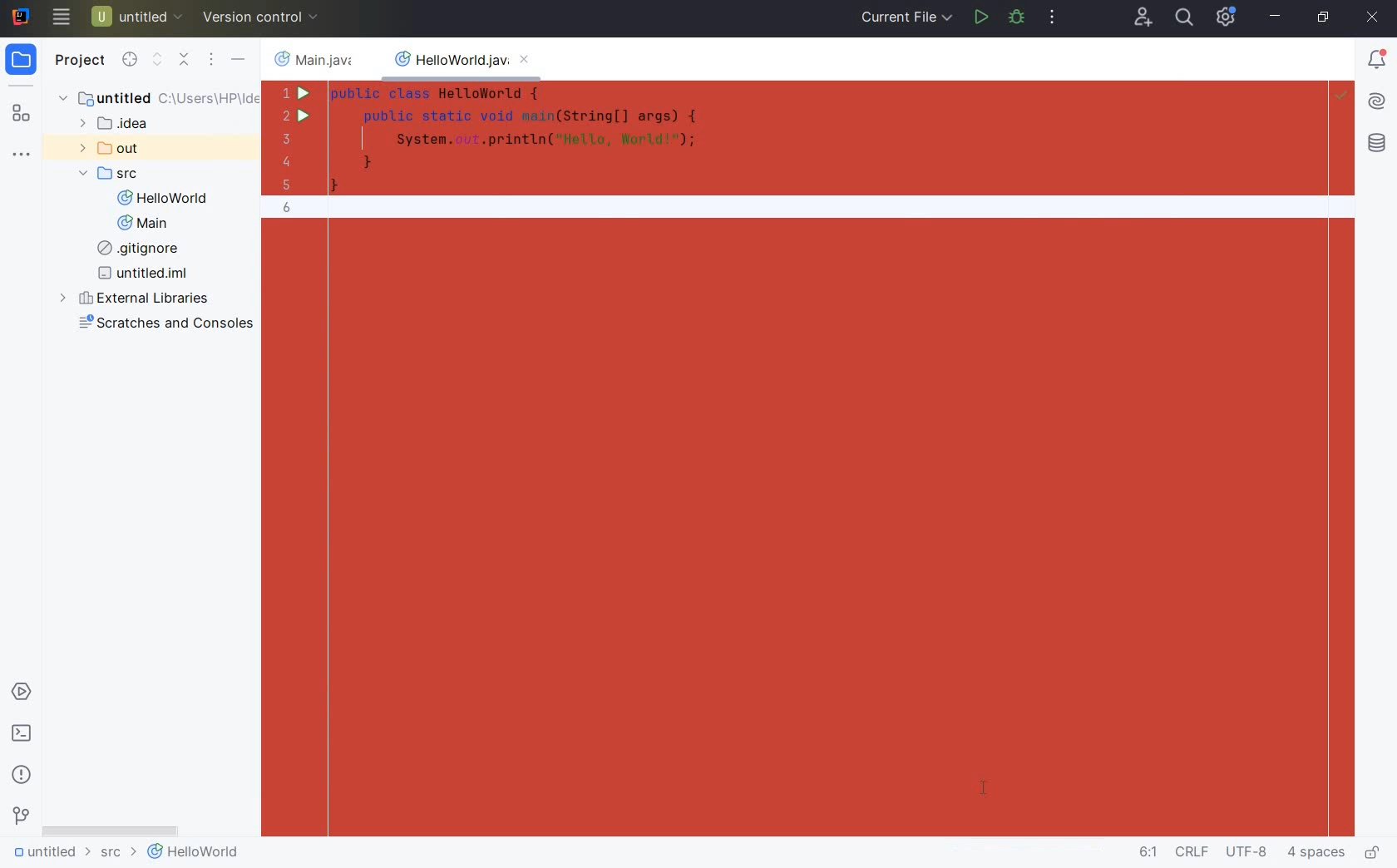 This screenshot has height=868, width=1397. I want to click on idea, so click(132, 125).